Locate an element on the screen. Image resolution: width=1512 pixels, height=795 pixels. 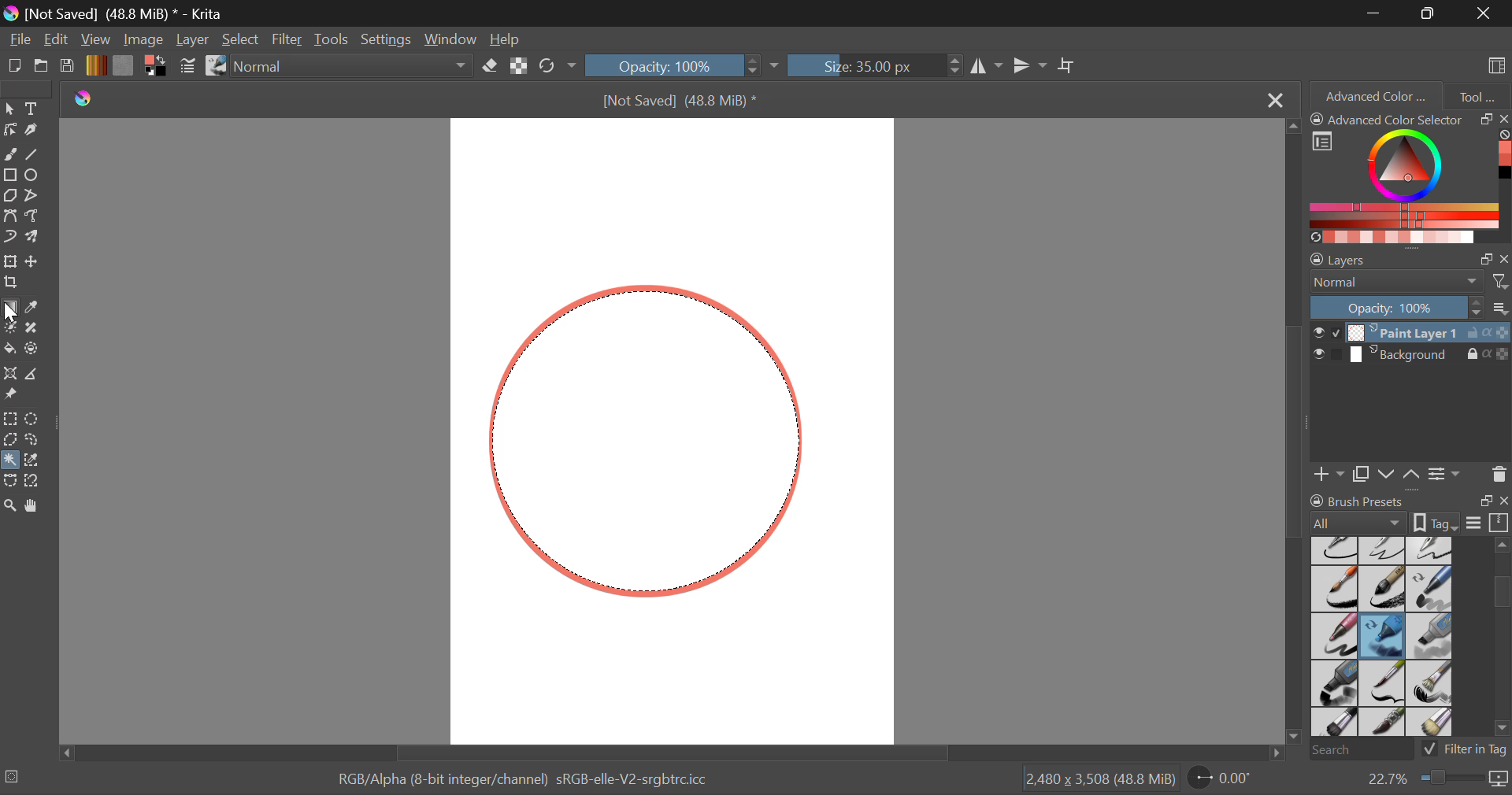
Copy is located at coordinates (1364, 471).